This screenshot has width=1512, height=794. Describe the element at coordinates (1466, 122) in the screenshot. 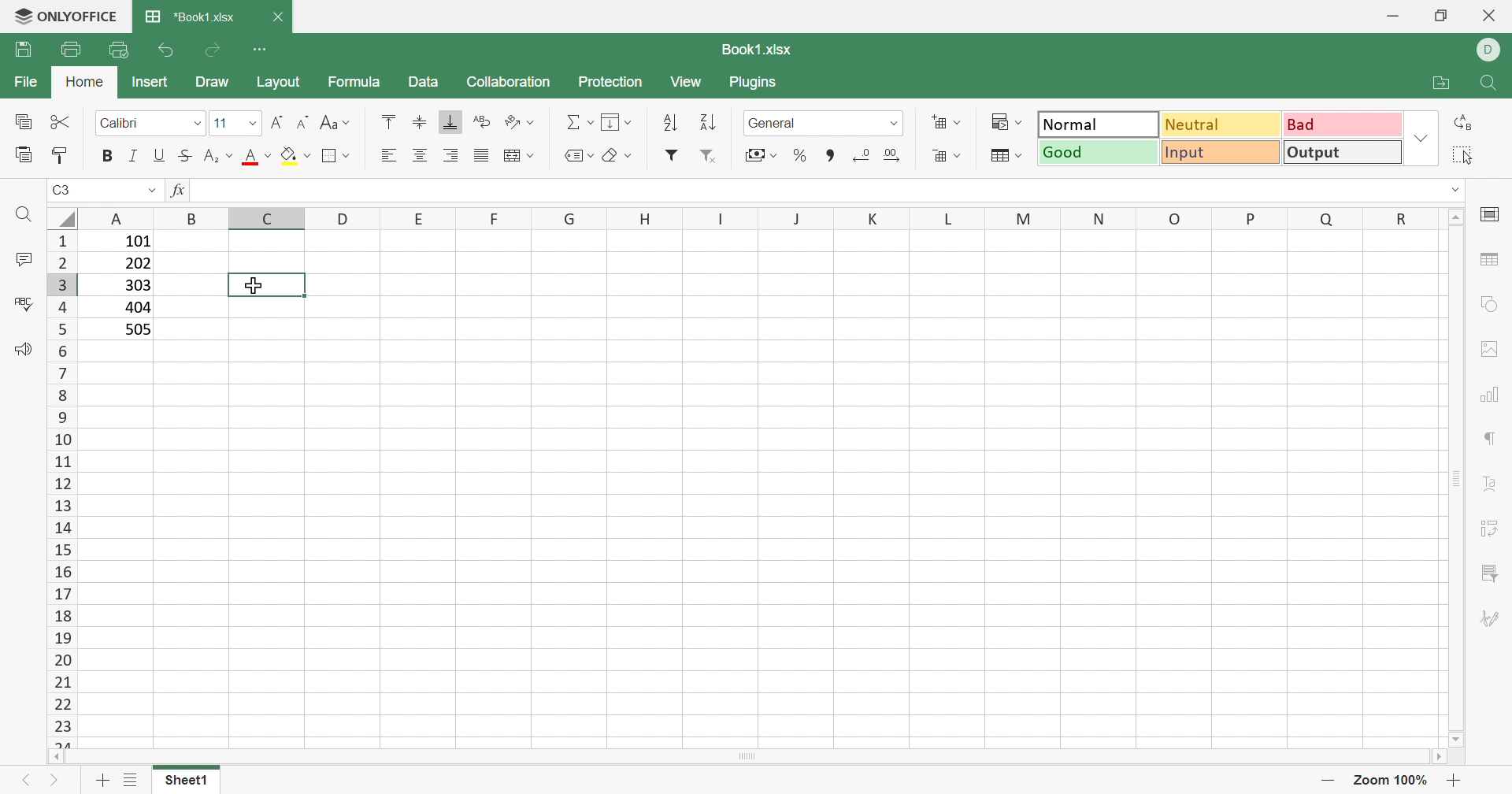

I see `Replace` at that location.